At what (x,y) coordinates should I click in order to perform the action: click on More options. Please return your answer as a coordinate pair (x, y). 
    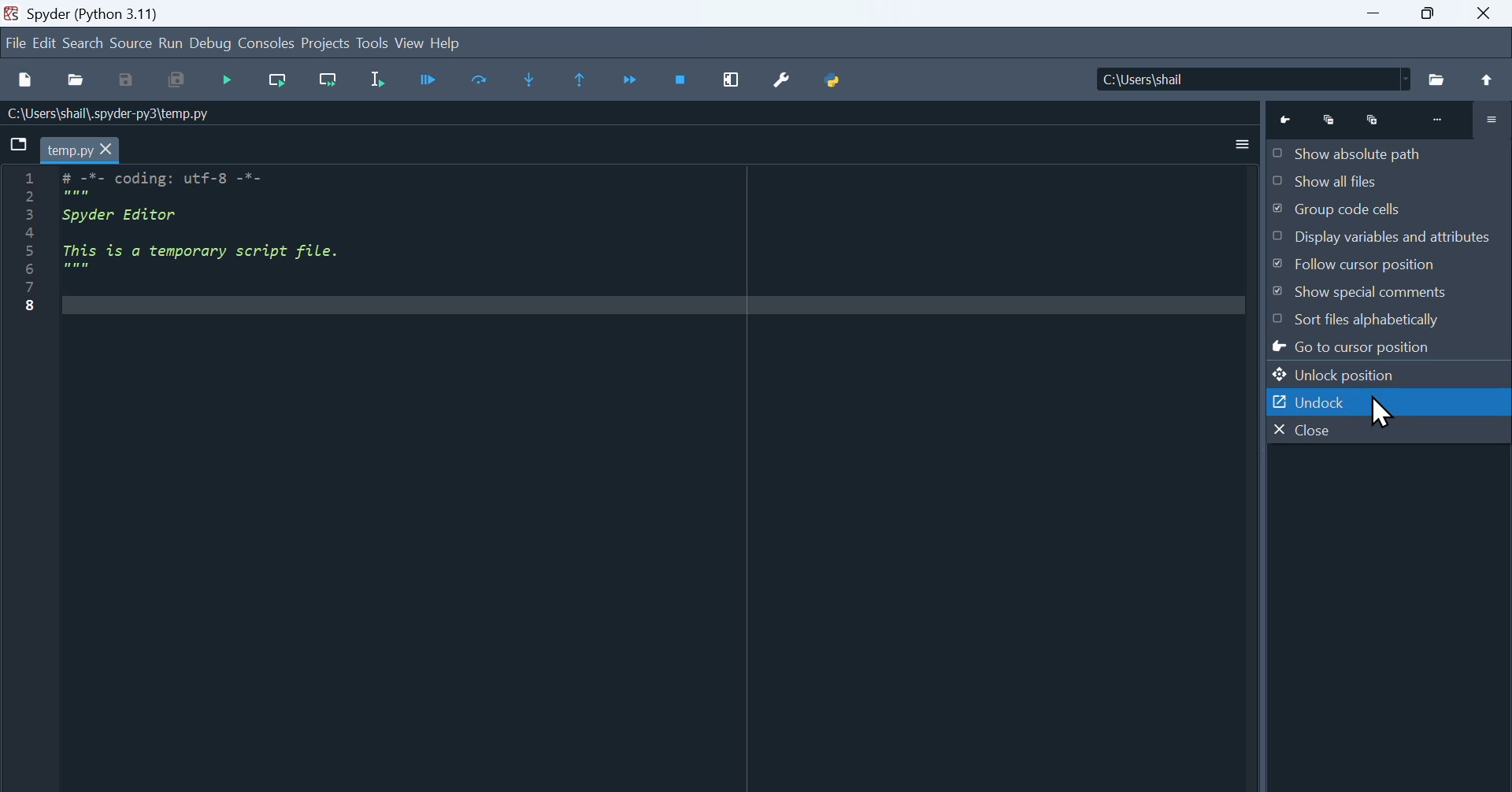
    Looking at the image, I should click on (1245, 145).